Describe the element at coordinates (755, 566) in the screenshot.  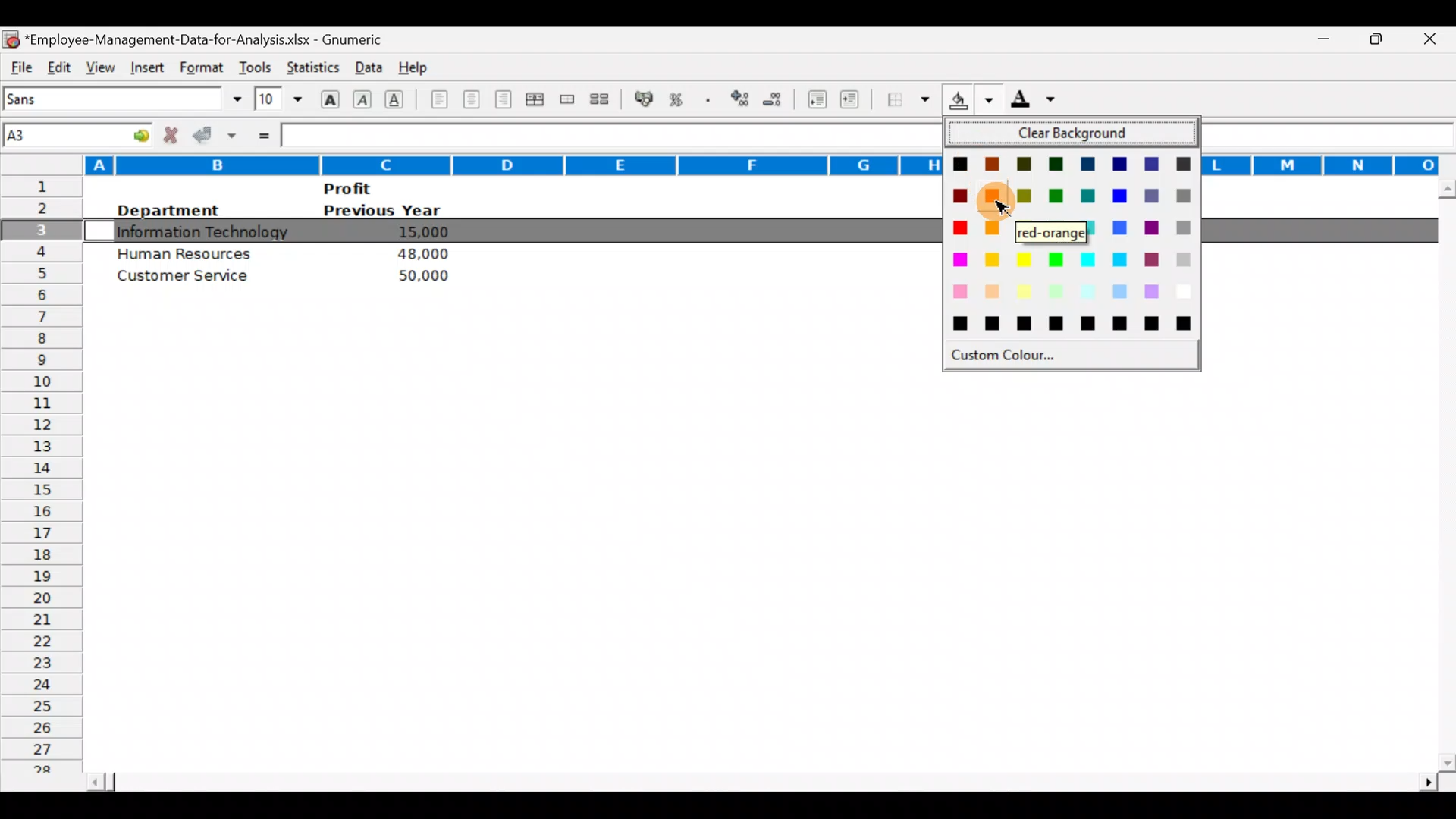
I see `Cells` at that location.